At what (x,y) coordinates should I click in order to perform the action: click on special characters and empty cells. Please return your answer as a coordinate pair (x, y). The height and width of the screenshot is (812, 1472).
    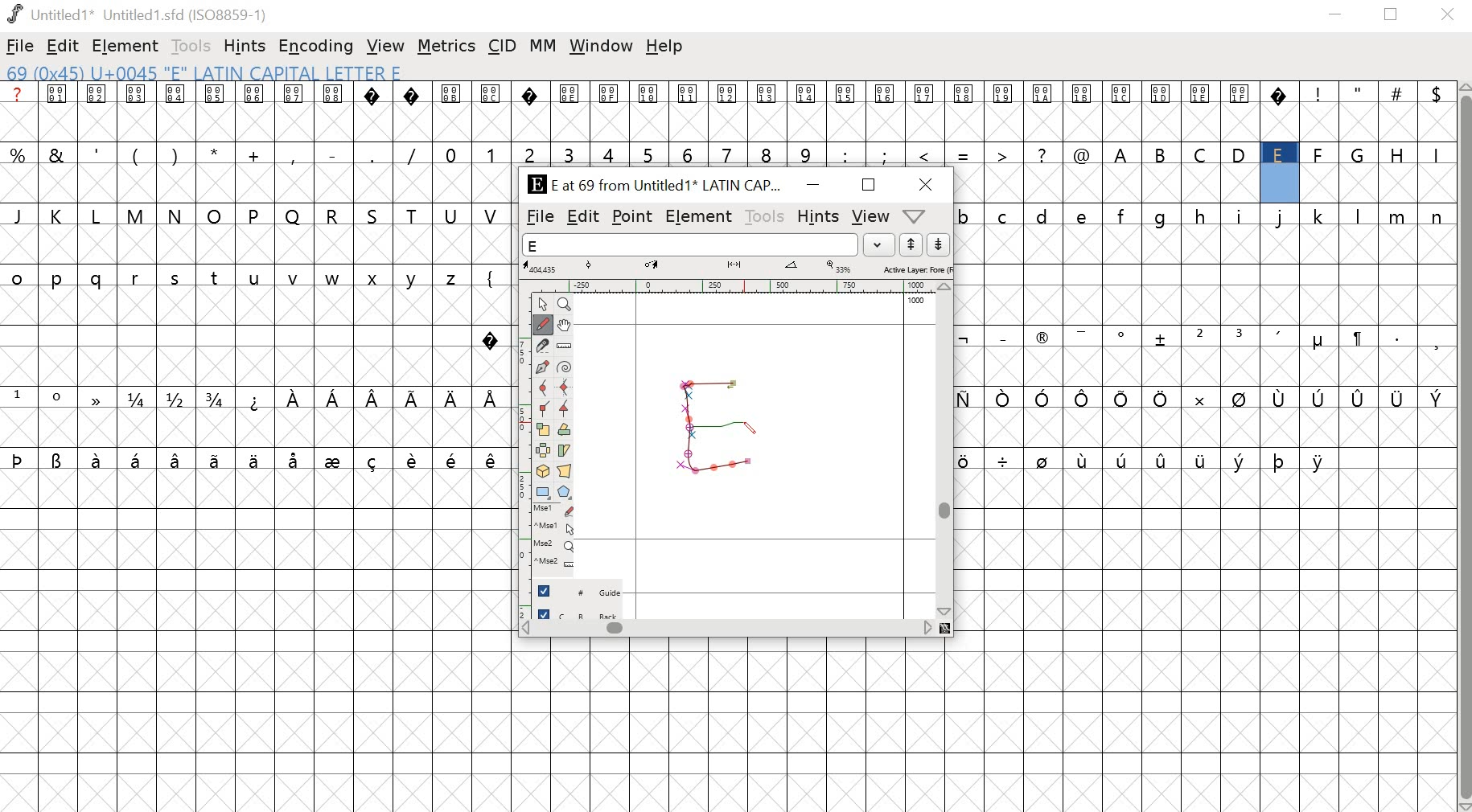
    Looking at the image, I should click on (1207, 460).